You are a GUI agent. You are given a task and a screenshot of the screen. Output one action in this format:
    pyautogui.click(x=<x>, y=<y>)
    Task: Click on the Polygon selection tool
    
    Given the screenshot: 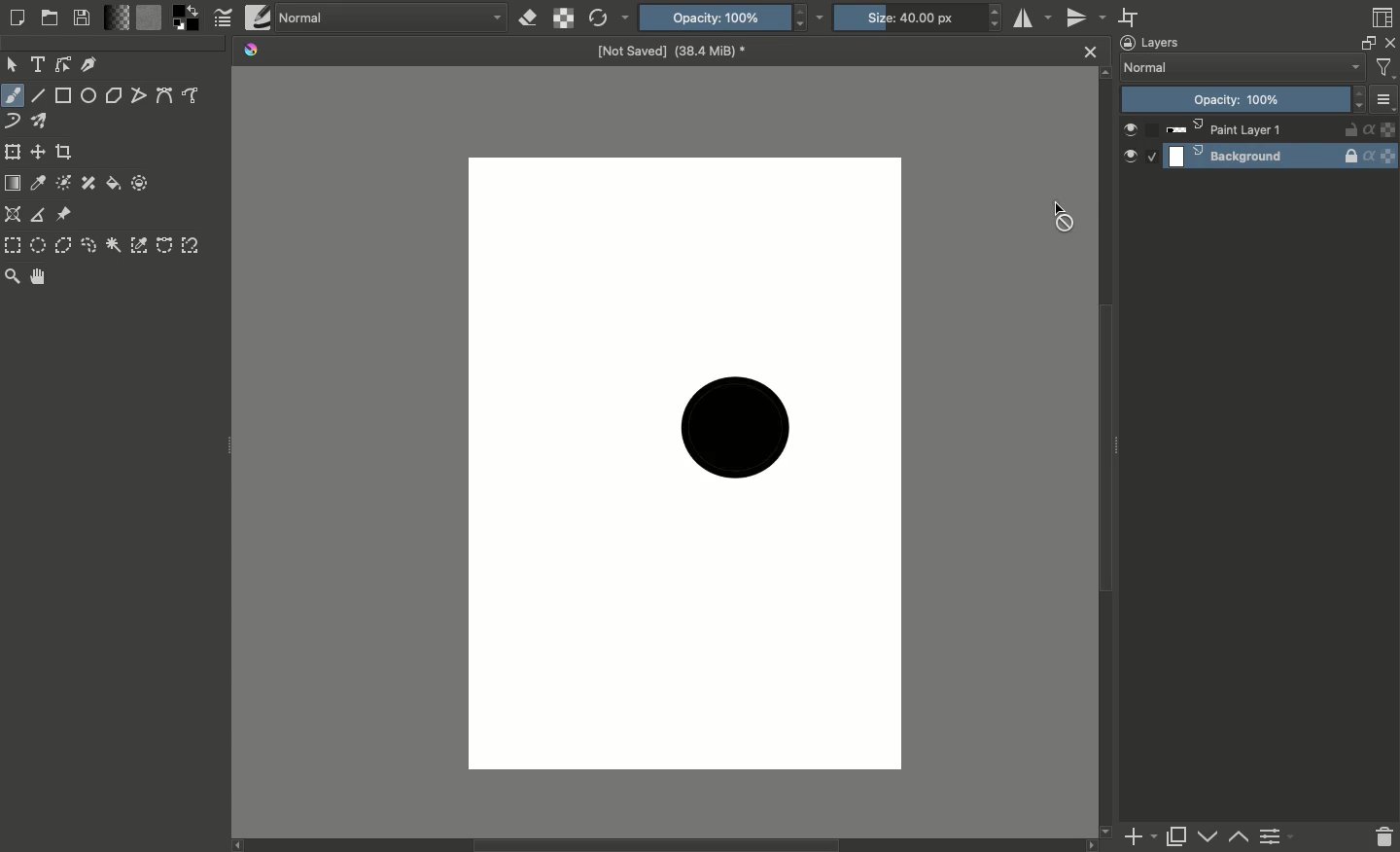 What is the action you would take?
    pyautogui.click(x=65, y=247)
    